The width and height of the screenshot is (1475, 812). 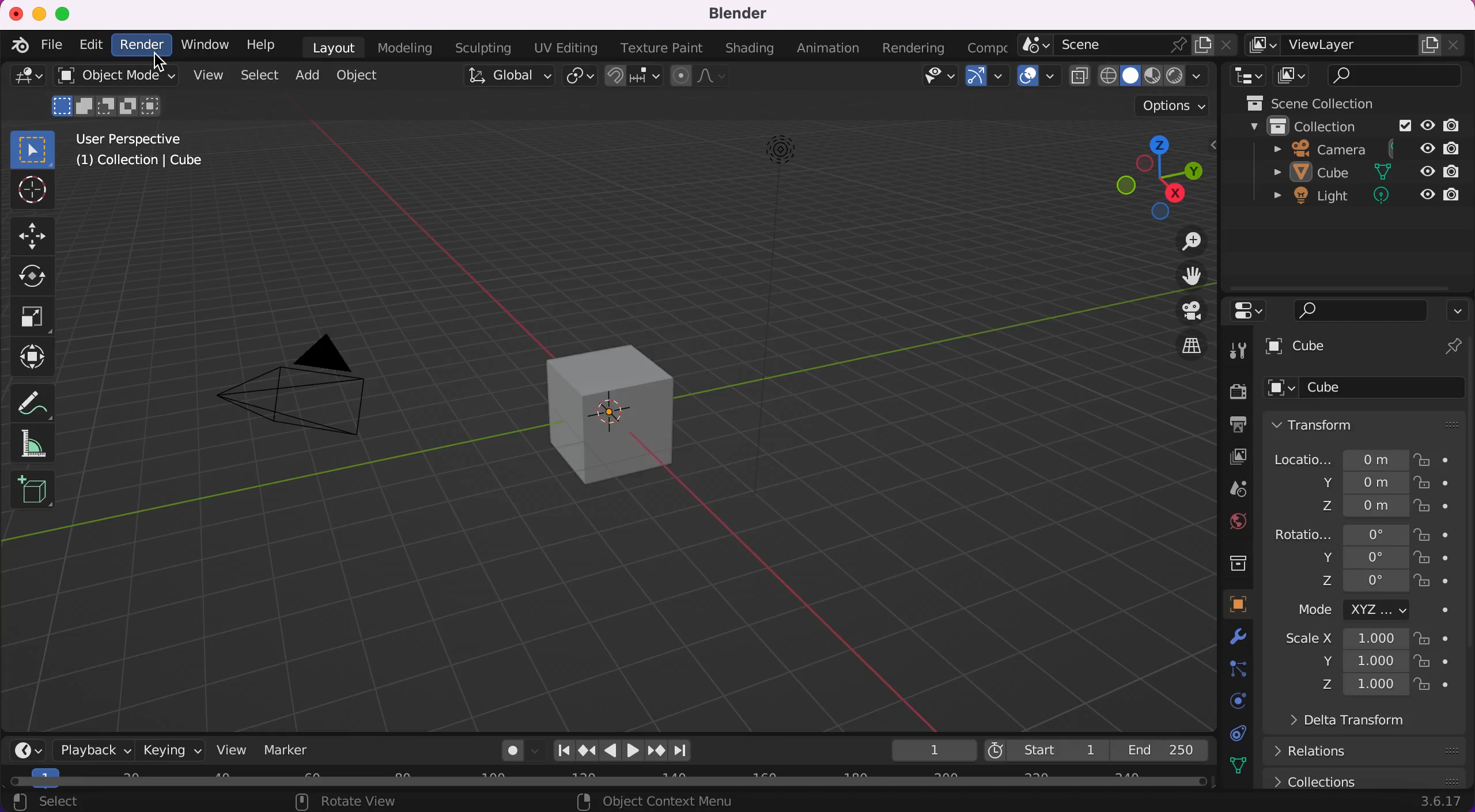 What do you see at coordinates (1308, 128) in the screenshot?
I see `collection` at bounding box center [1308, 128].